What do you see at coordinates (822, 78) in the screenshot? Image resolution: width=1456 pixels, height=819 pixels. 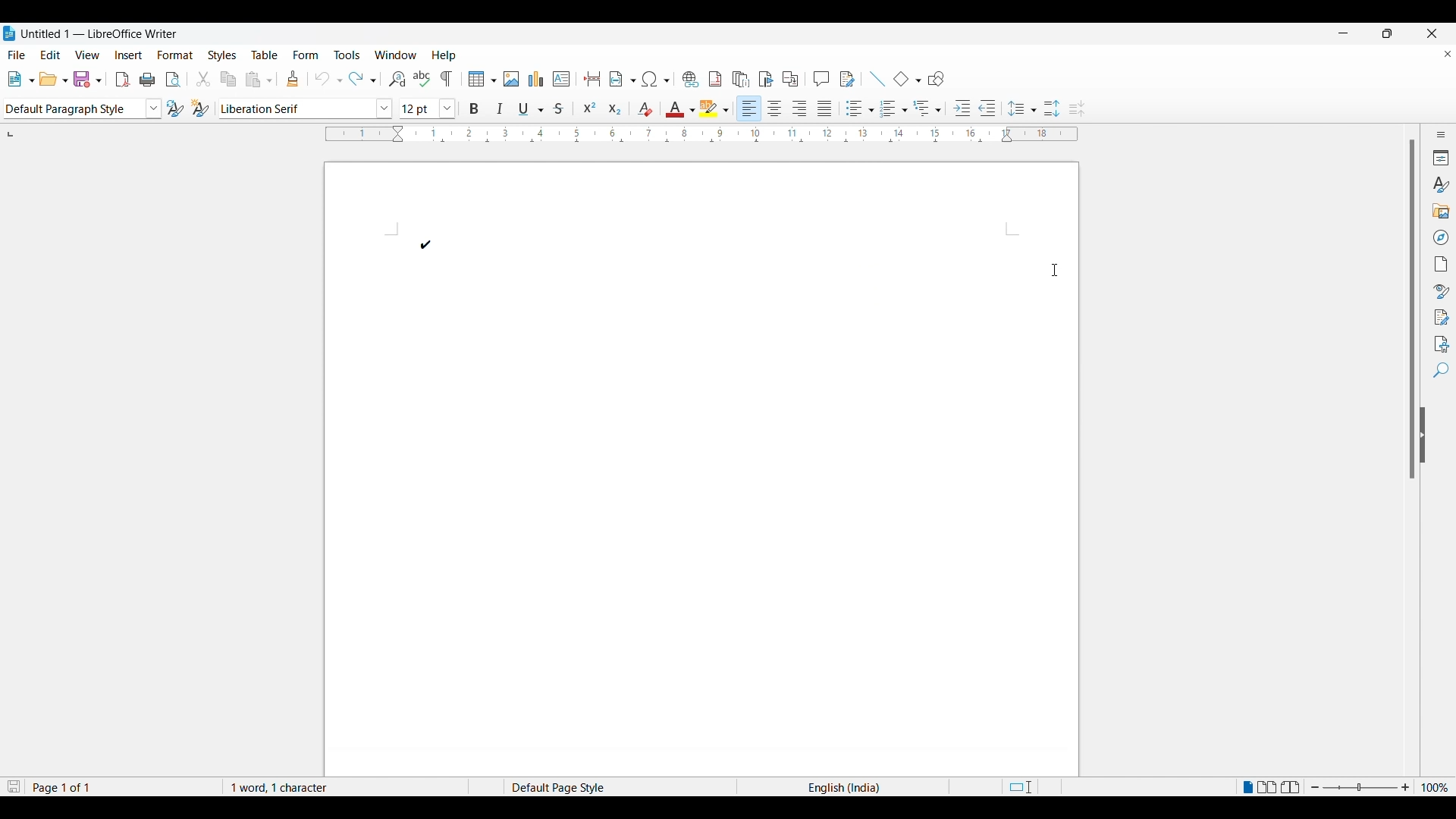 I see `comment` at bounding box center [822, 78].